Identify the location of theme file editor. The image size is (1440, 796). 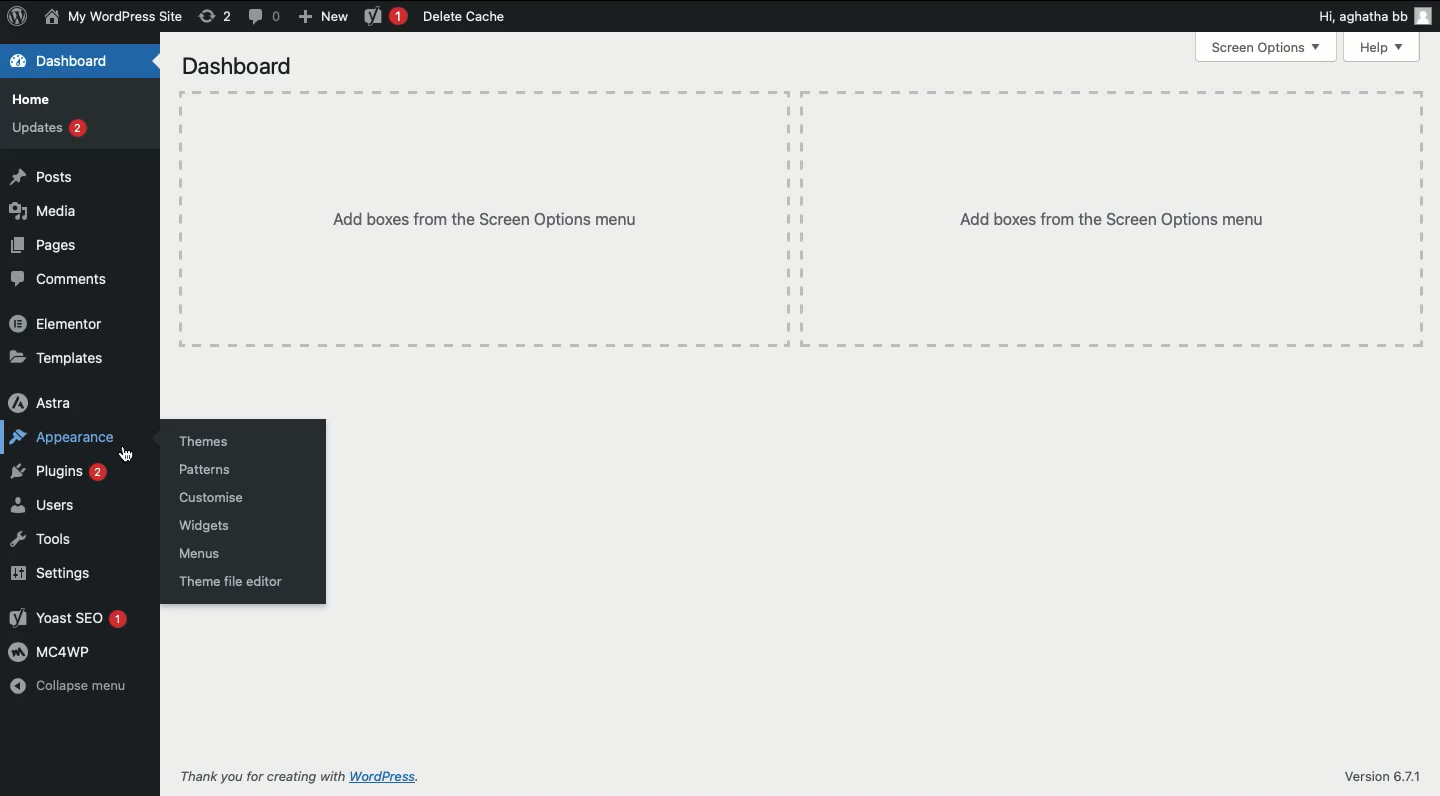
(245, 582).